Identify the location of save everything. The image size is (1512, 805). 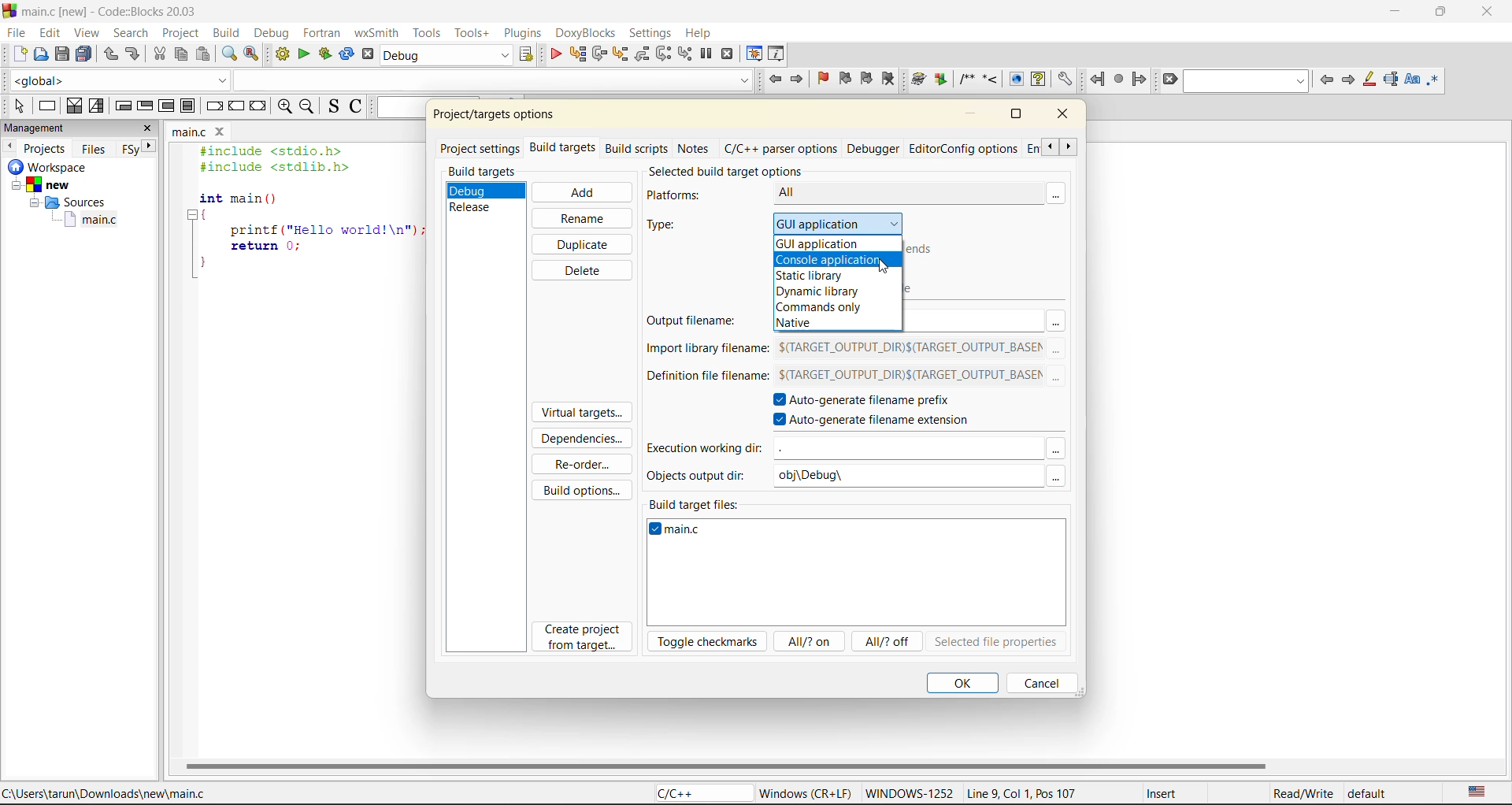
(85, 54).